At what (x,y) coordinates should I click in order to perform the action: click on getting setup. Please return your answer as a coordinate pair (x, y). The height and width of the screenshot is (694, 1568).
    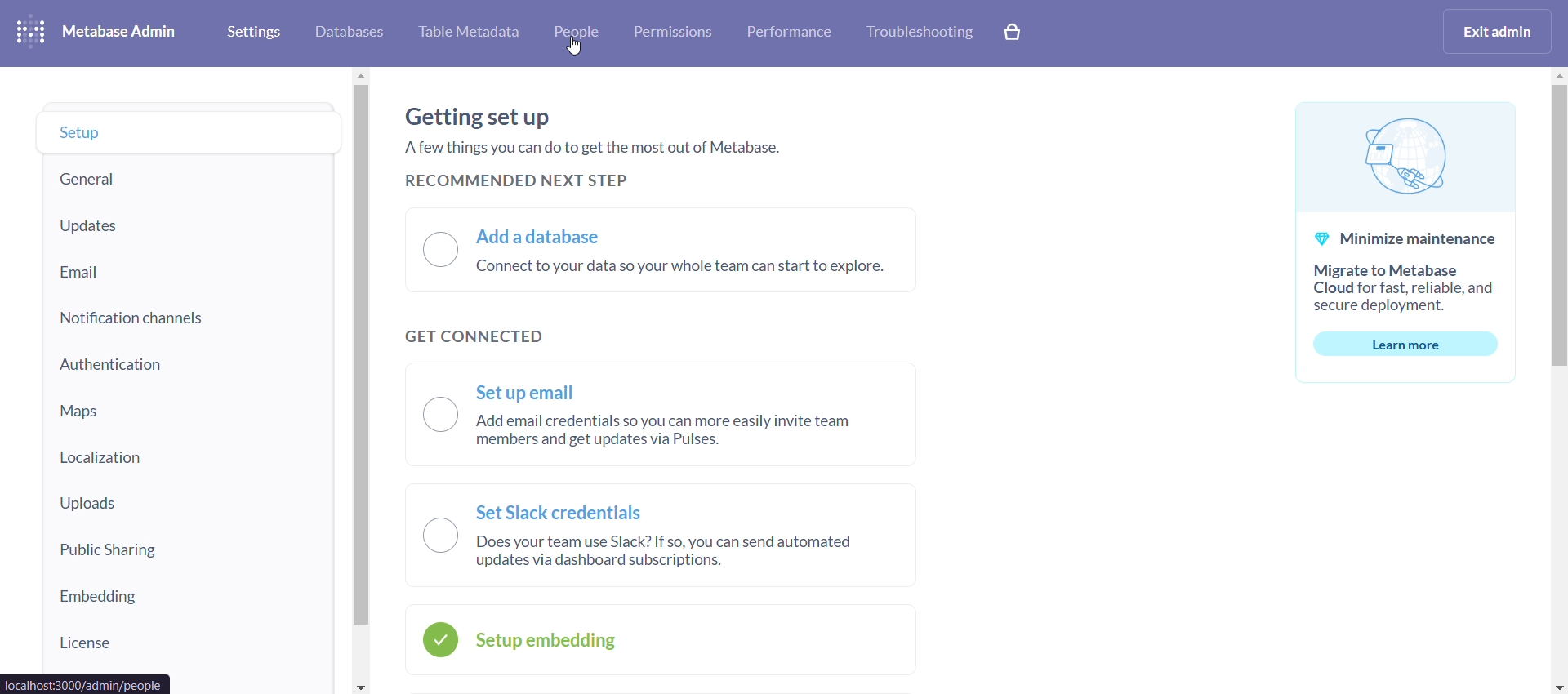
    Looking at the image, I should click on (483, 113).